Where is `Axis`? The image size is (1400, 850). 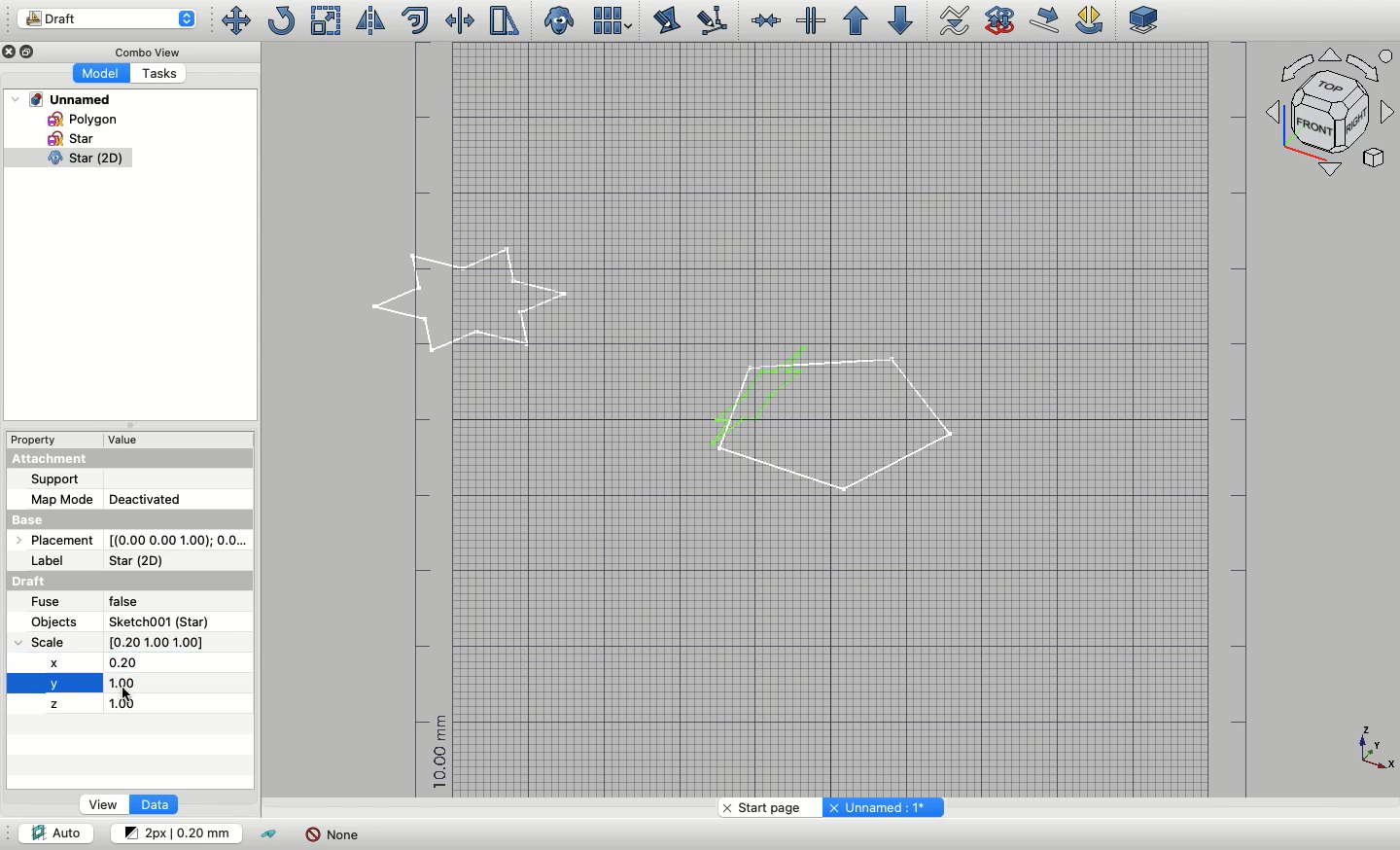 Axis is located at coordinates (1376, 749).